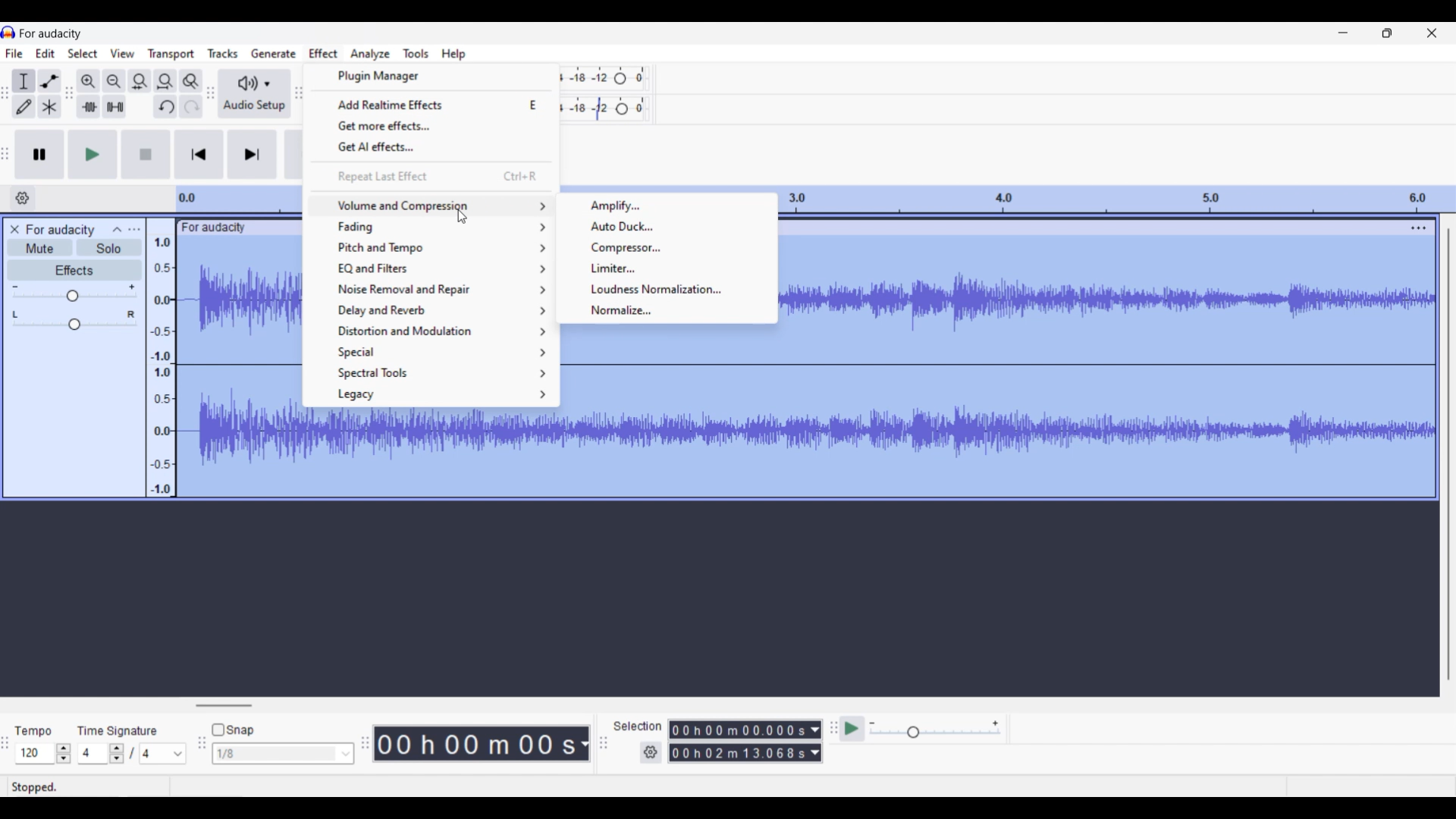 The height and width of the screenshot is (819, 1456). What do you see at coordinates (369, 54) in the screenshot?
I see `Analyze menu` at bounding box center [369, 54].